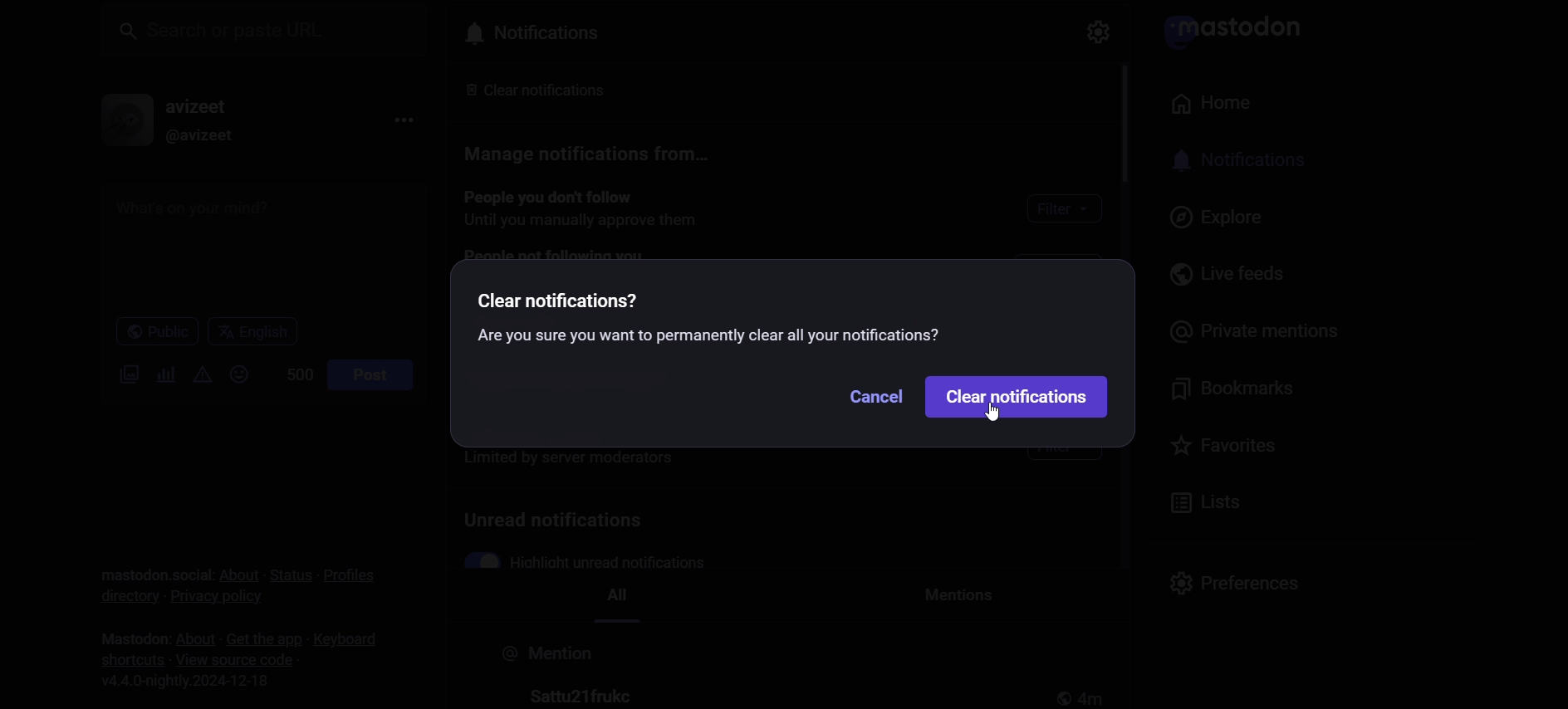  I want to click on cursor, so click(992, 416).